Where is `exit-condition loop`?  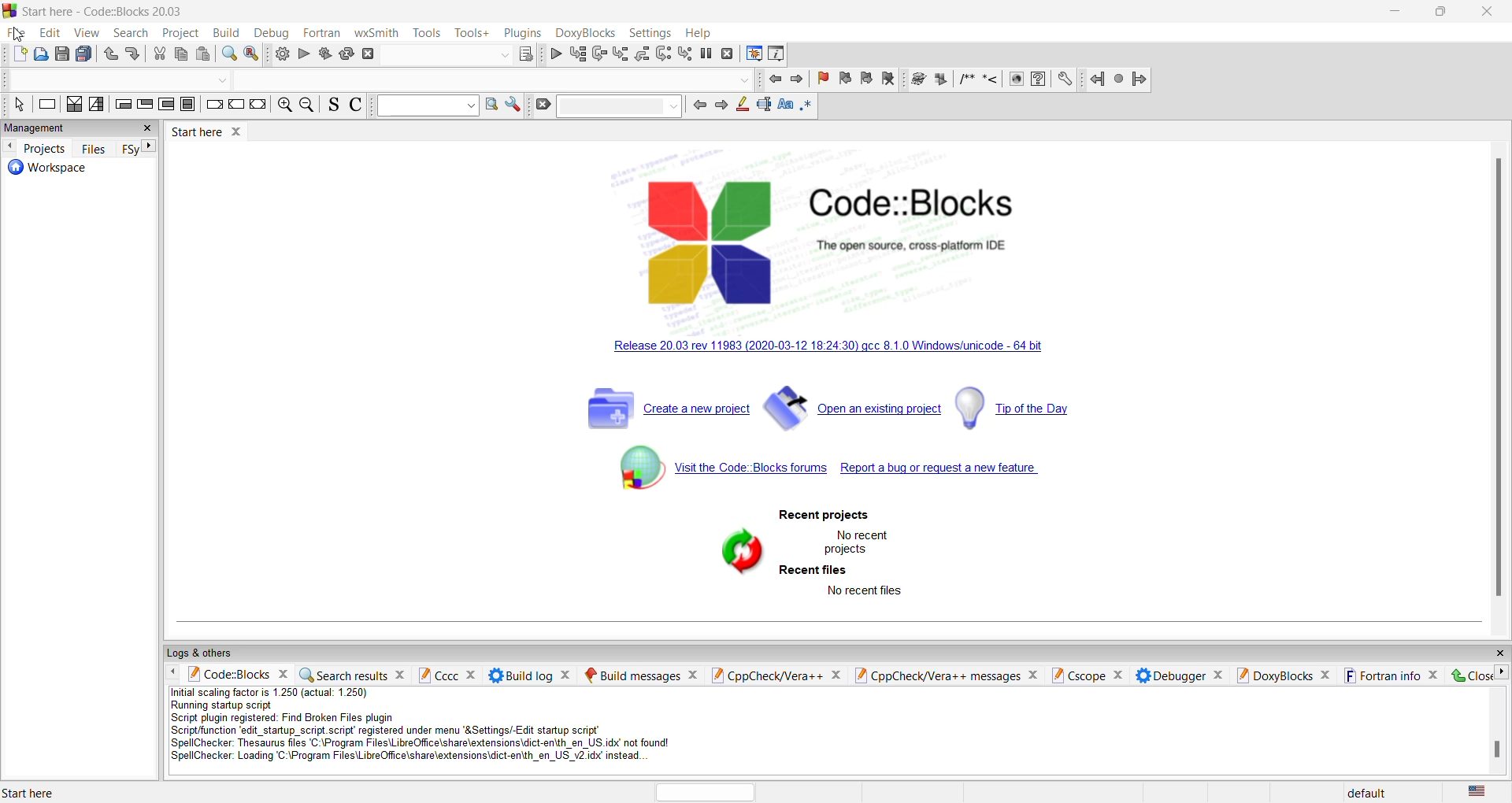 exit-condition loop is located at coordinates (145, 105).